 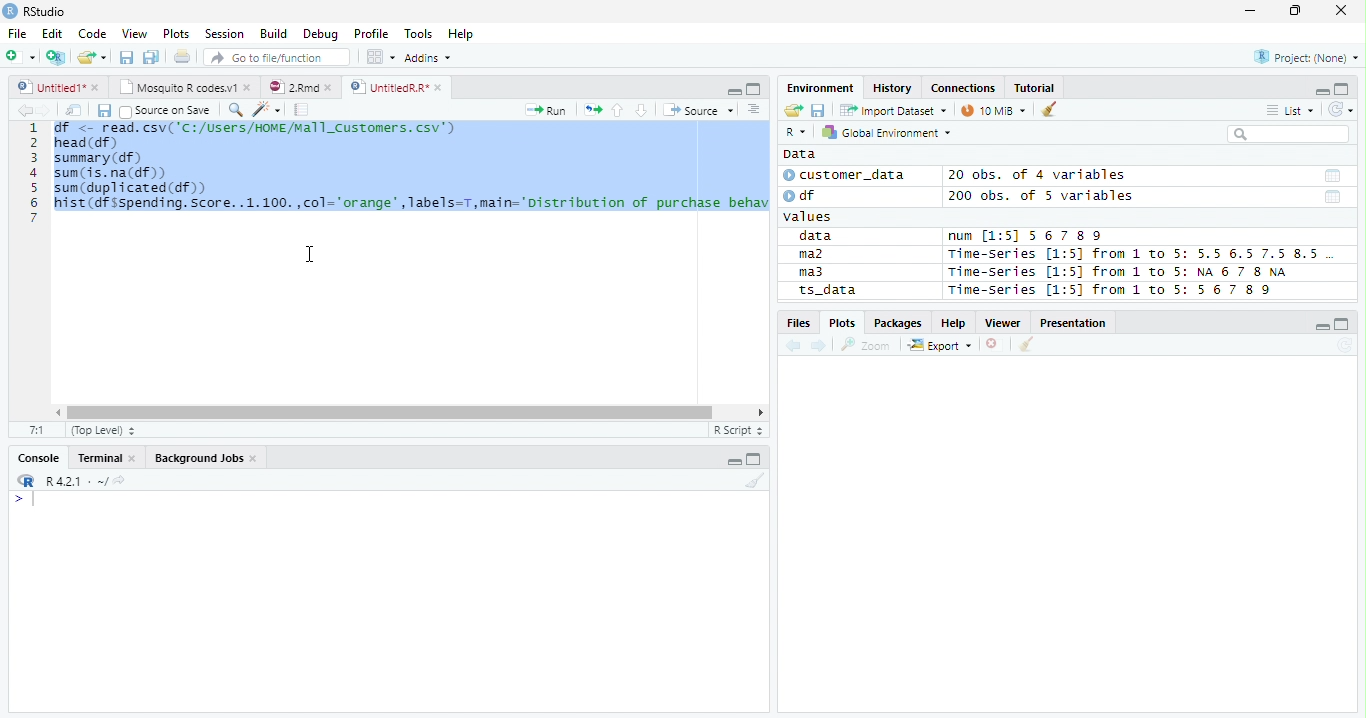 What do you see at coordinates (756, 460) in the screenshot?
I see `Maximize` at bounding box center [756, 460].